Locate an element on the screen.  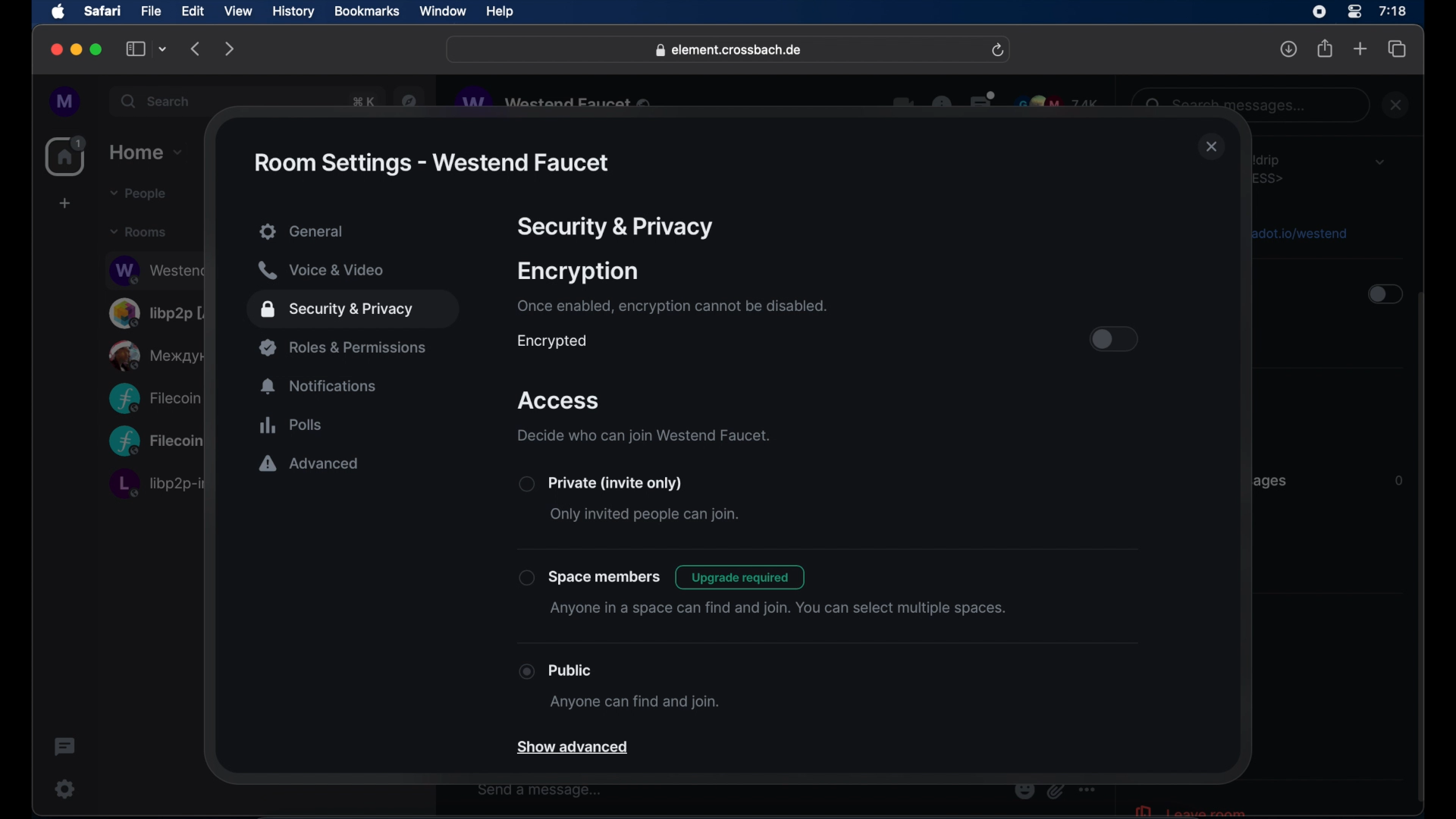
show tab overview is located at coordinates (1398, 49).